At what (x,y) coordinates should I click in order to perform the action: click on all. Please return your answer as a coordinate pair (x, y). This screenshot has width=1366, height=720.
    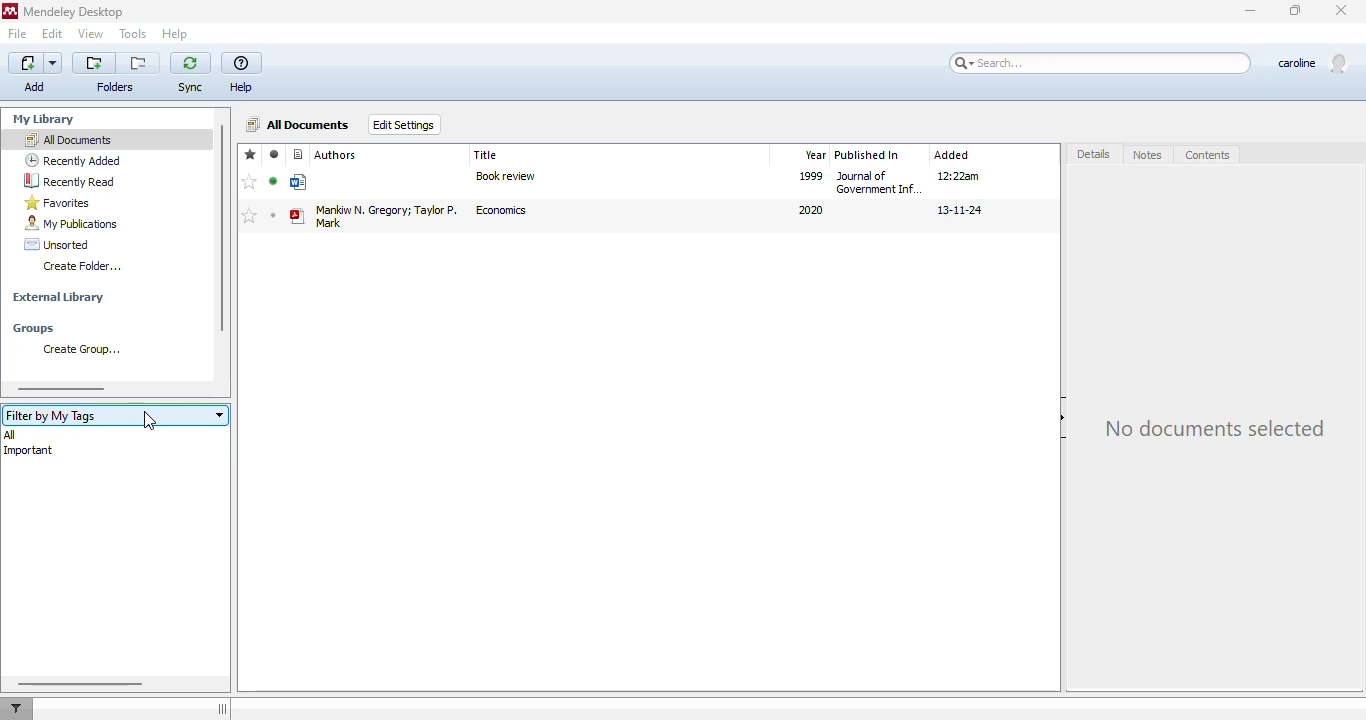
    Looking at the image, I should click on (9, 434).